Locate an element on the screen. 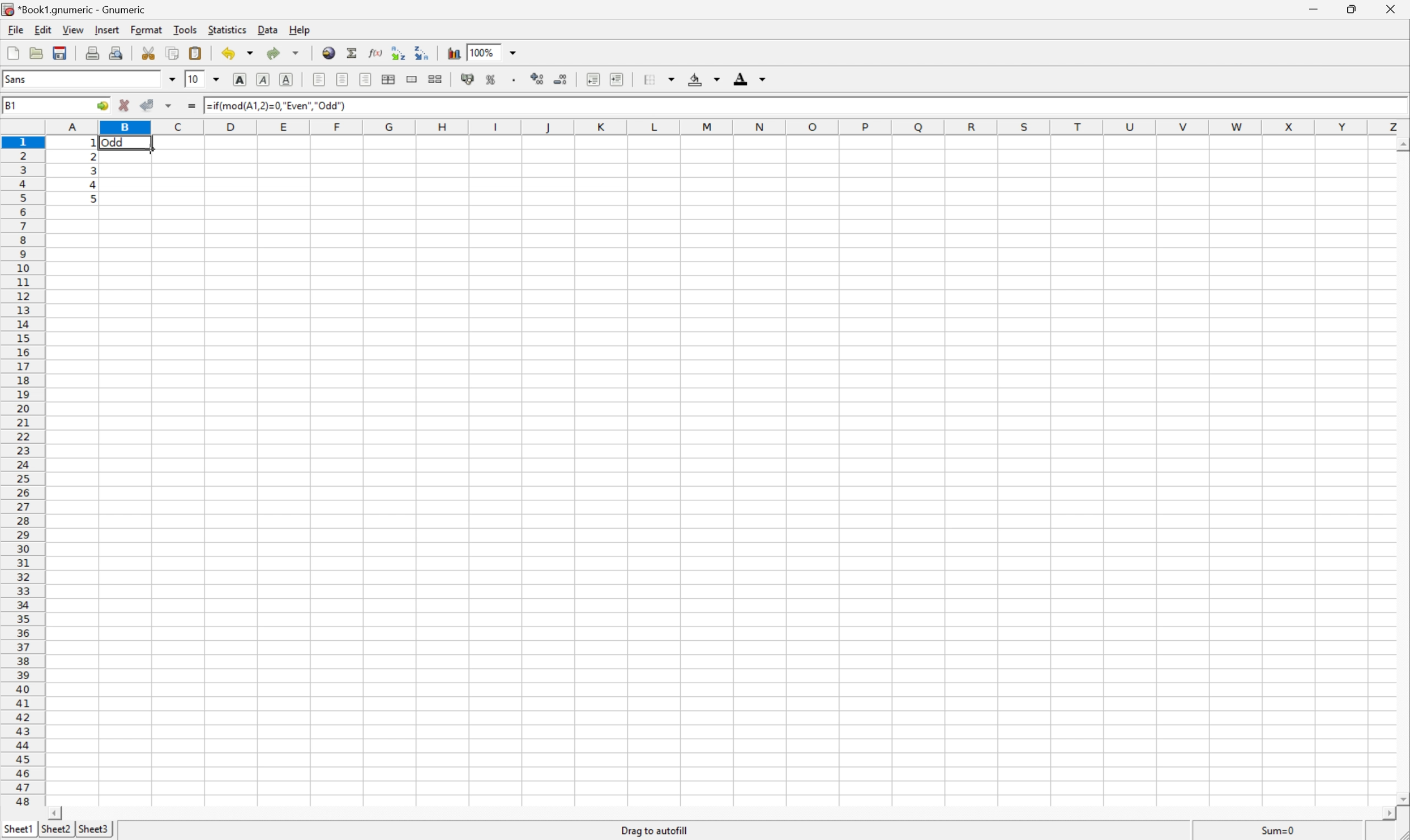  Edit is located at coordinates (44, 29).